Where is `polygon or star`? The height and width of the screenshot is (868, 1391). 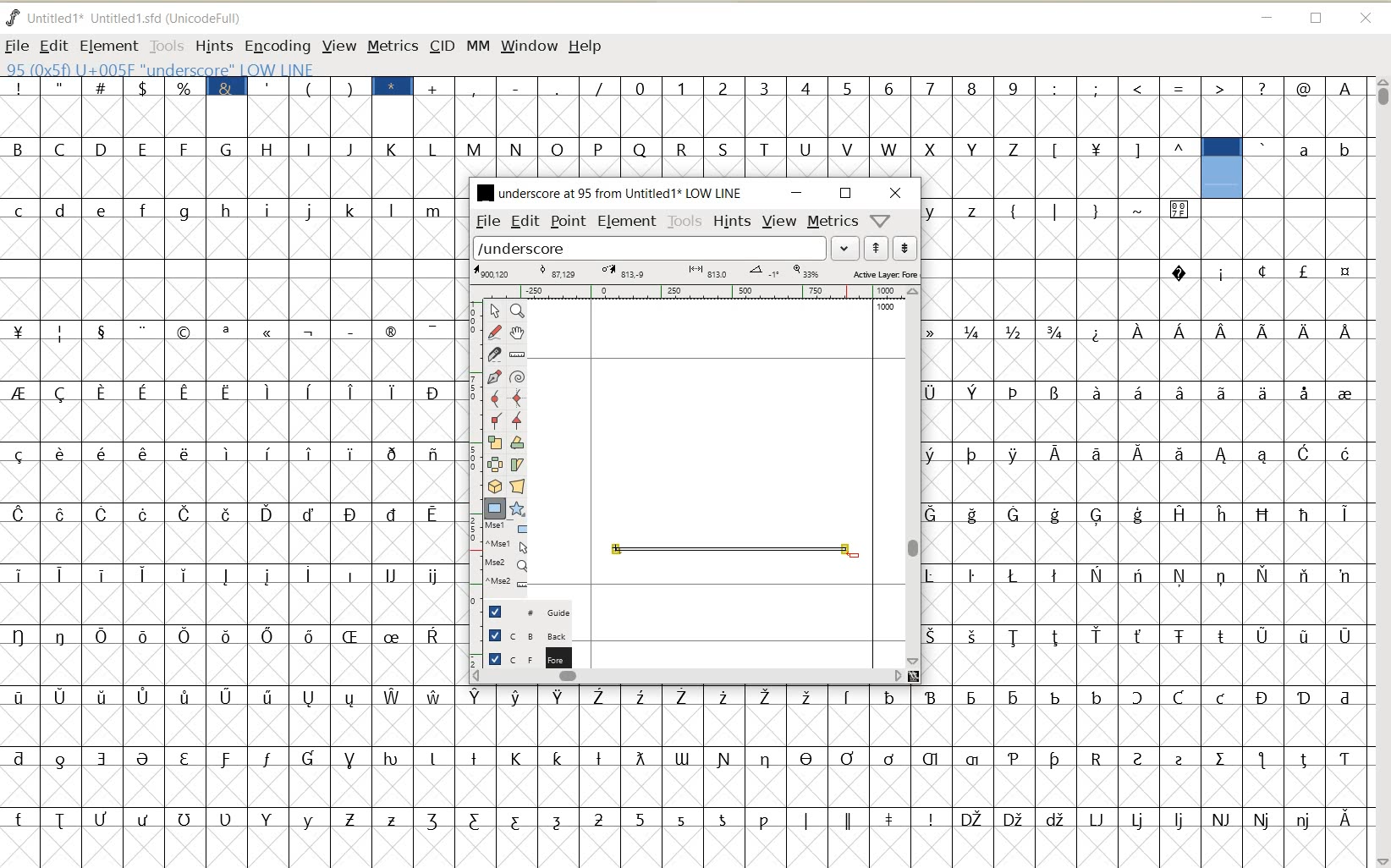
polygon or star is located at coordinates (516, 508).